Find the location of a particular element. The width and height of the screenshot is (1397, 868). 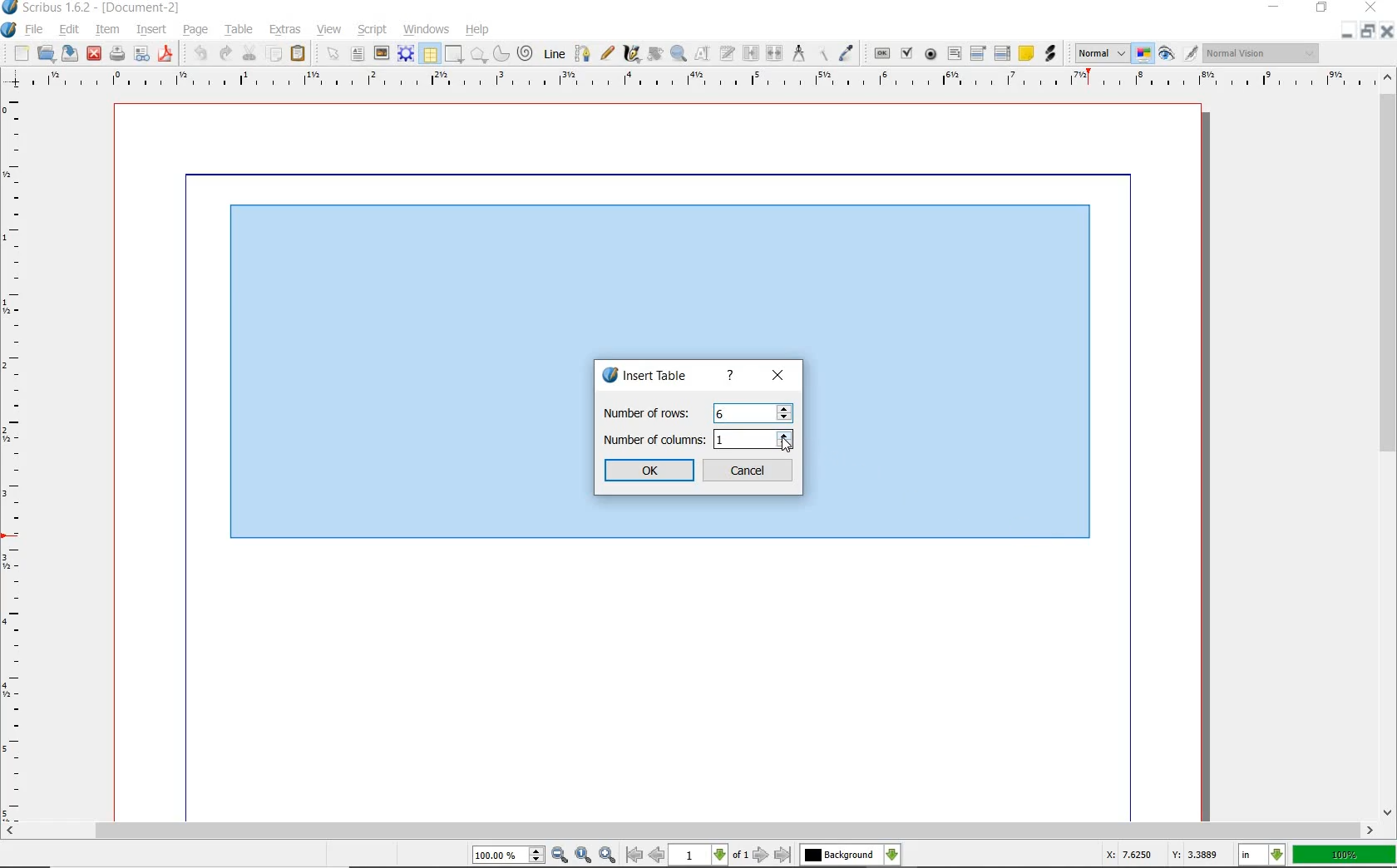

edit contents of frame is located at coordinates (699, 55).